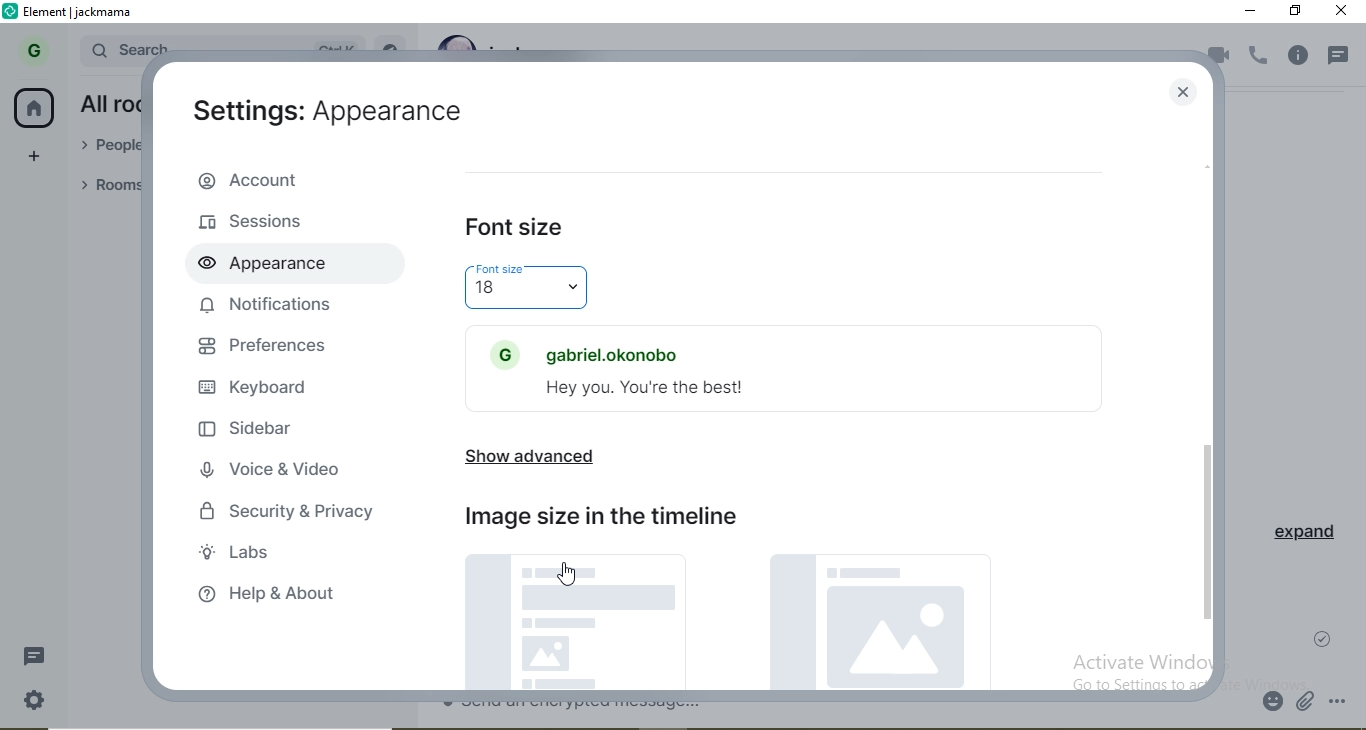  What do you see at coordinates (286, 505) in the screenshot?
I see `security & privacy` at bounding box center [286, 505].